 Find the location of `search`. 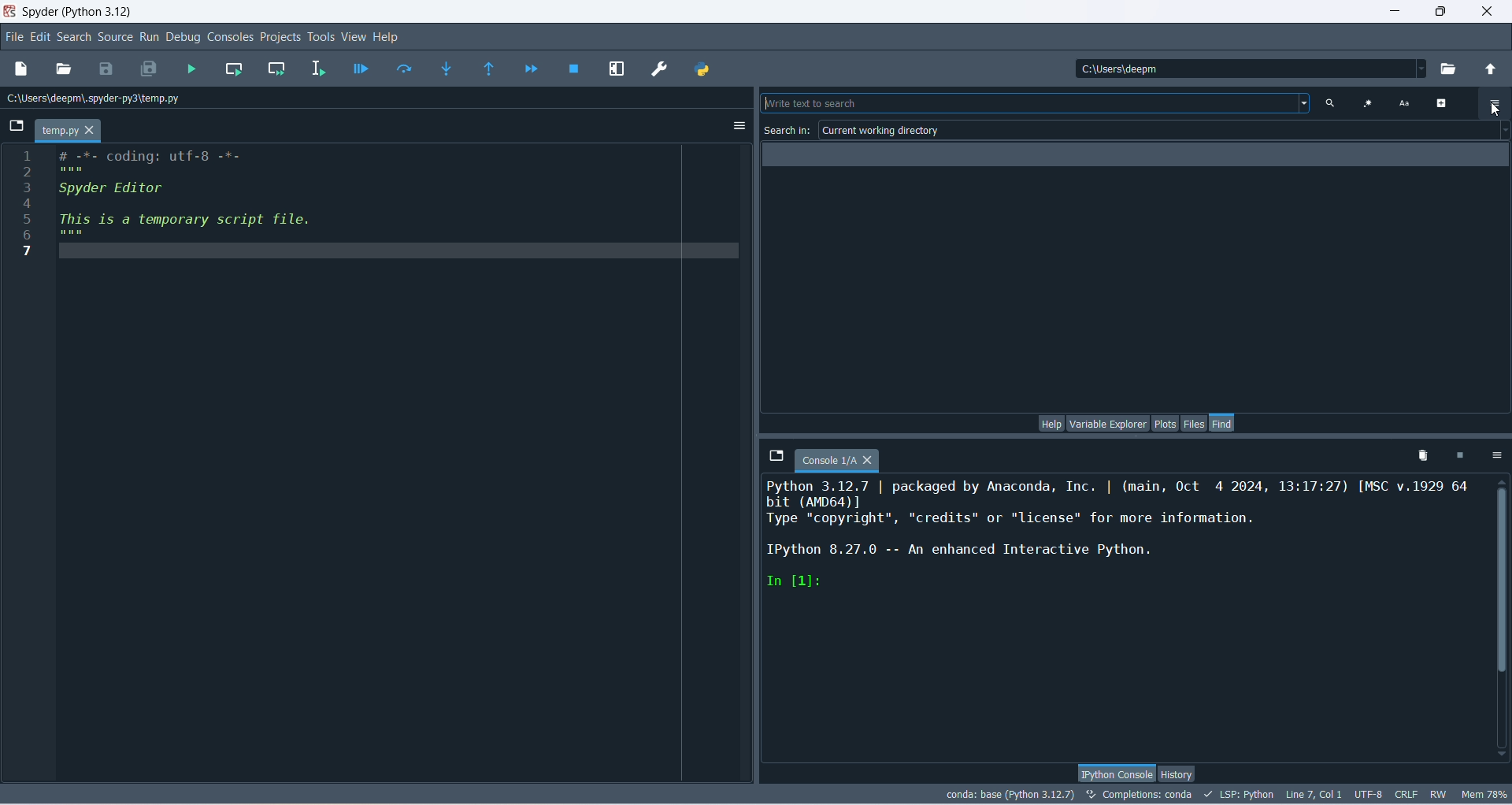

search is located at coordinates (76, 39).